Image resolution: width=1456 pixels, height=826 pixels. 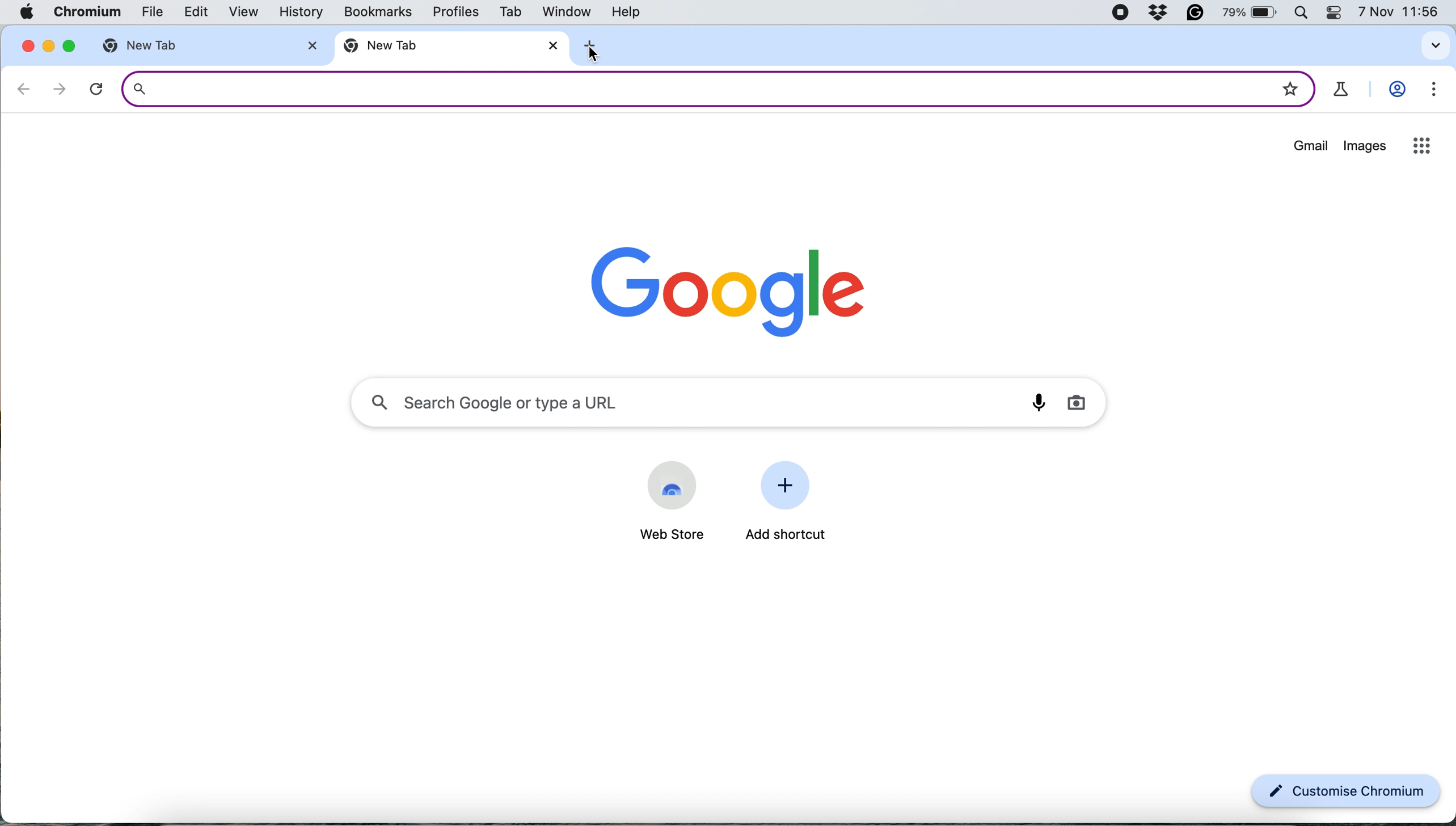 I want to click on help, so click(x=630, y=11).